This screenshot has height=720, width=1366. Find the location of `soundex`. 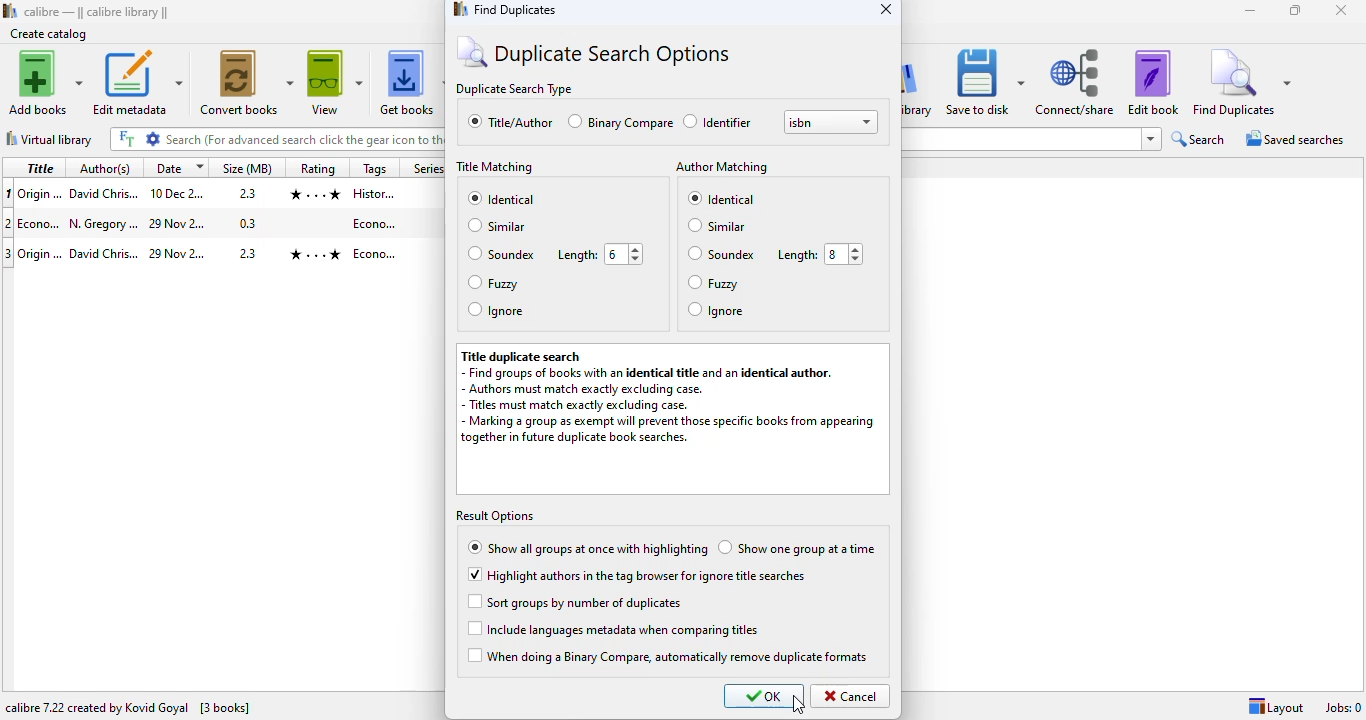

soundex is located at coordinates (721, 253).